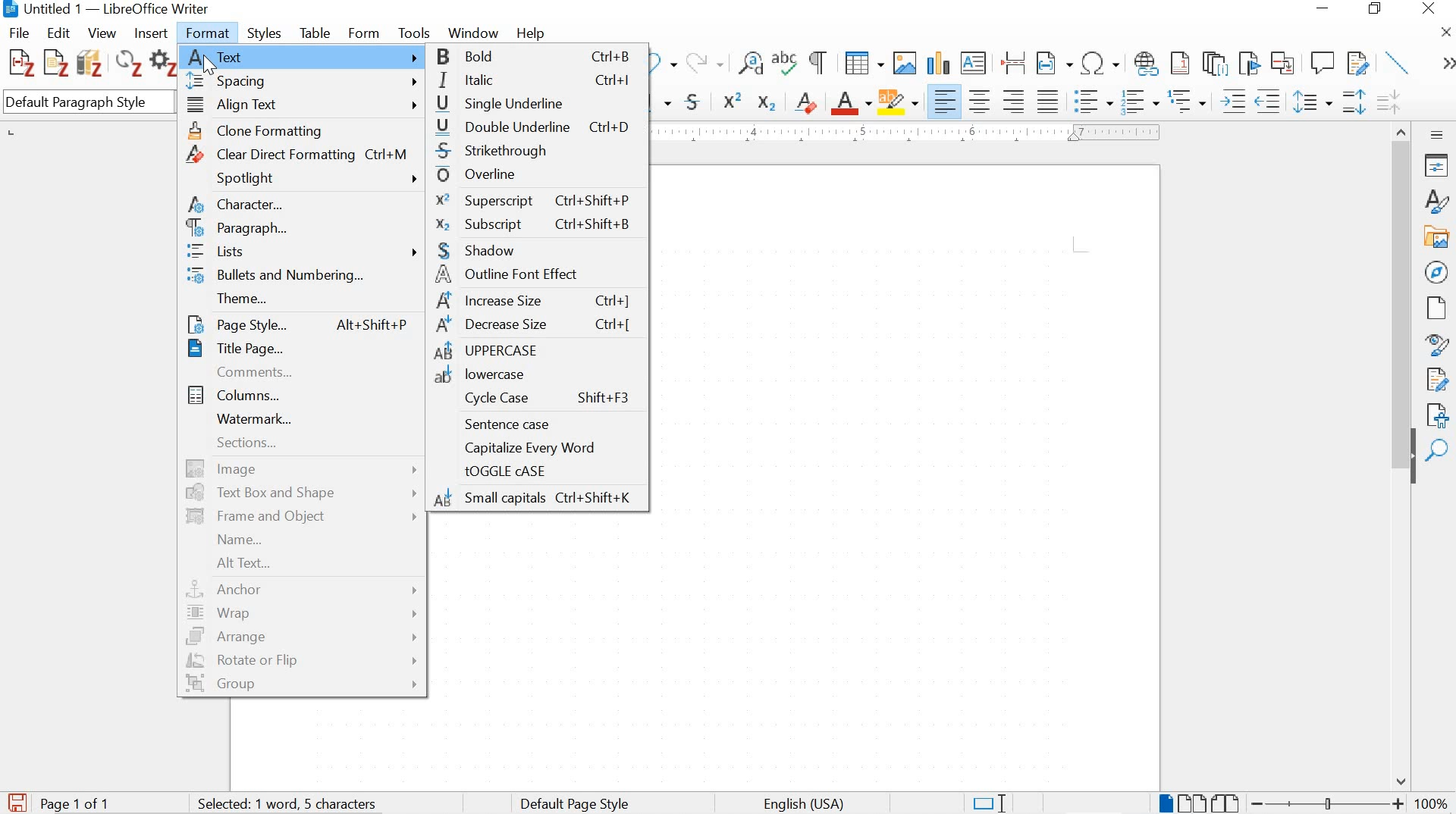 This screenshot has height=814, width=1456. I want to click on styles, so click(1435, 201).